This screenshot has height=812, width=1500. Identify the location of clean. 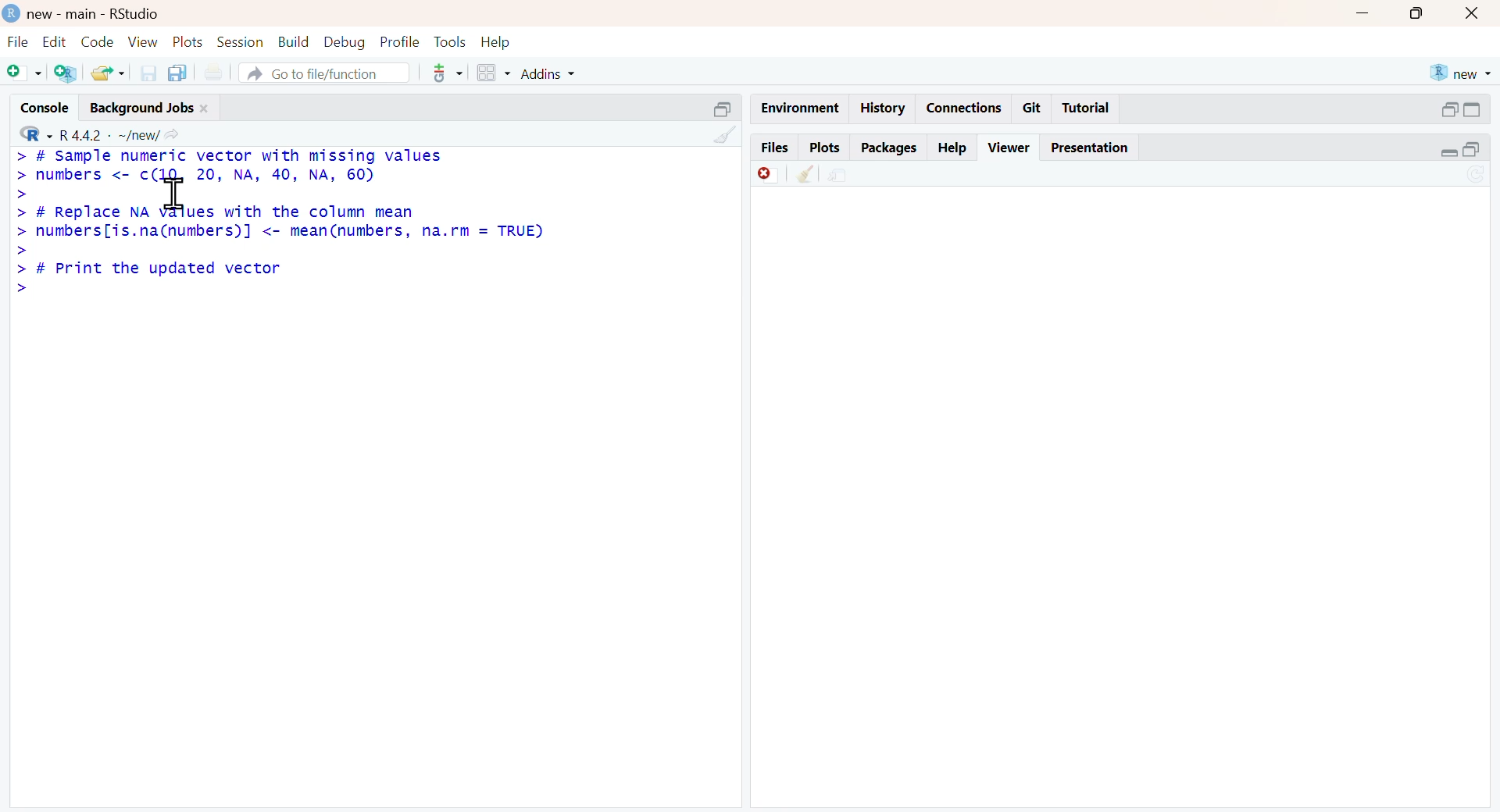
(726, 136).